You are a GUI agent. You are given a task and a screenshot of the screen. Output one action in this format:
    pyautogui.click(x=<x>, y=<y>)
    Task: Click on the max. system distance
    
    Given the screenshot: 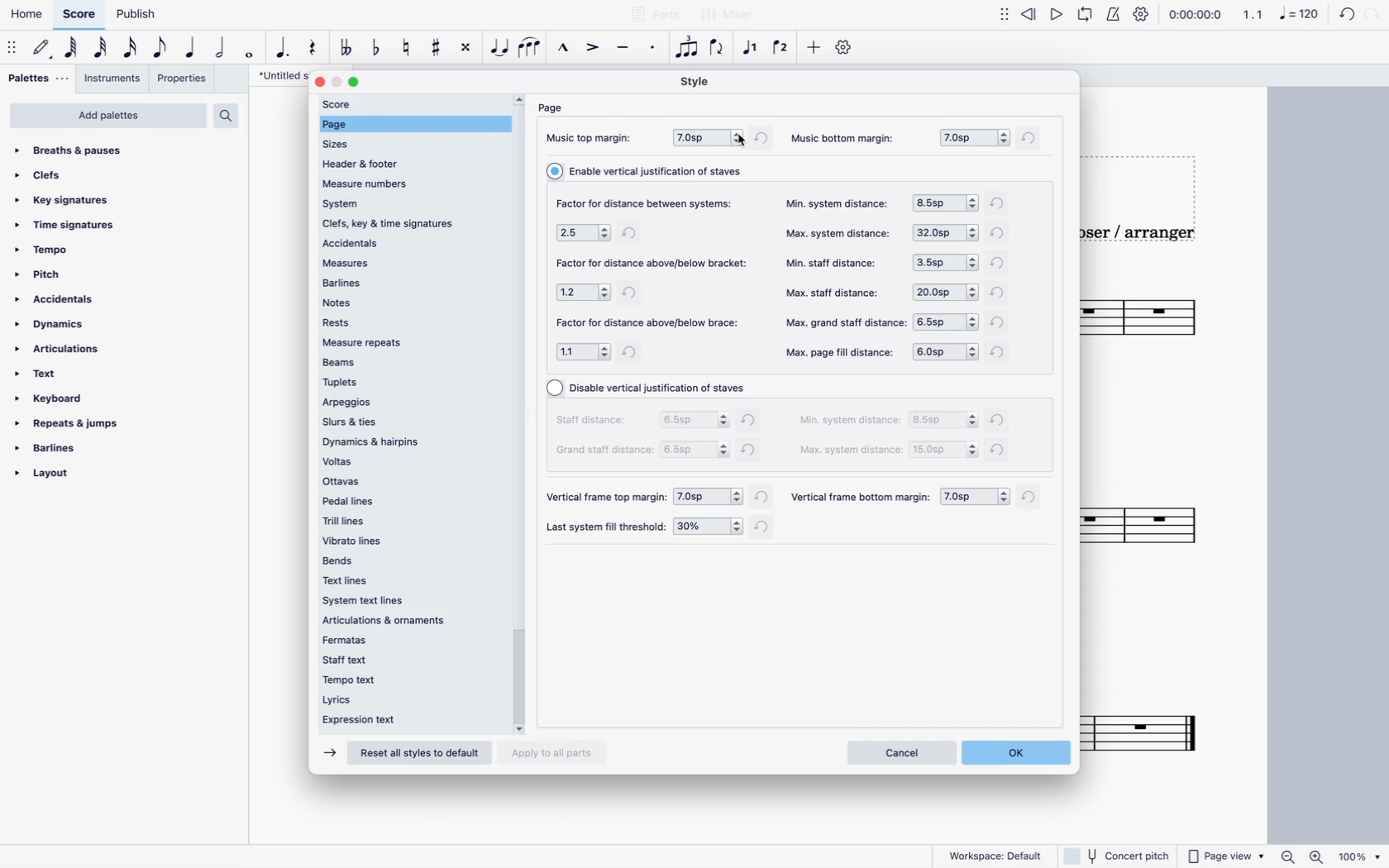 What is the action you would take?
    pyautogui.click(x=842, y=235)
    